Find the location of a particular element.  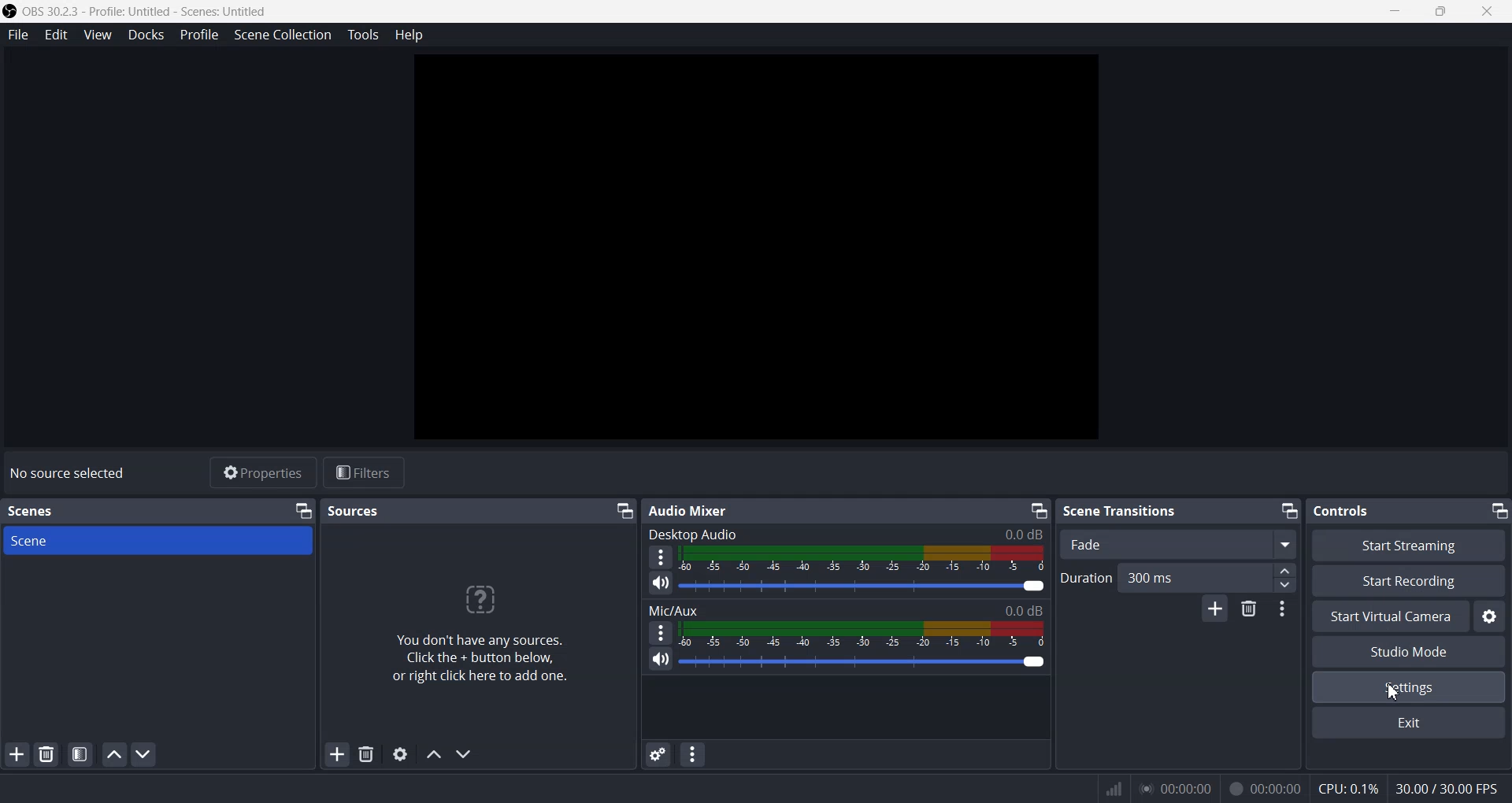

Mute / Unmute is located at coordinates (660, 583).